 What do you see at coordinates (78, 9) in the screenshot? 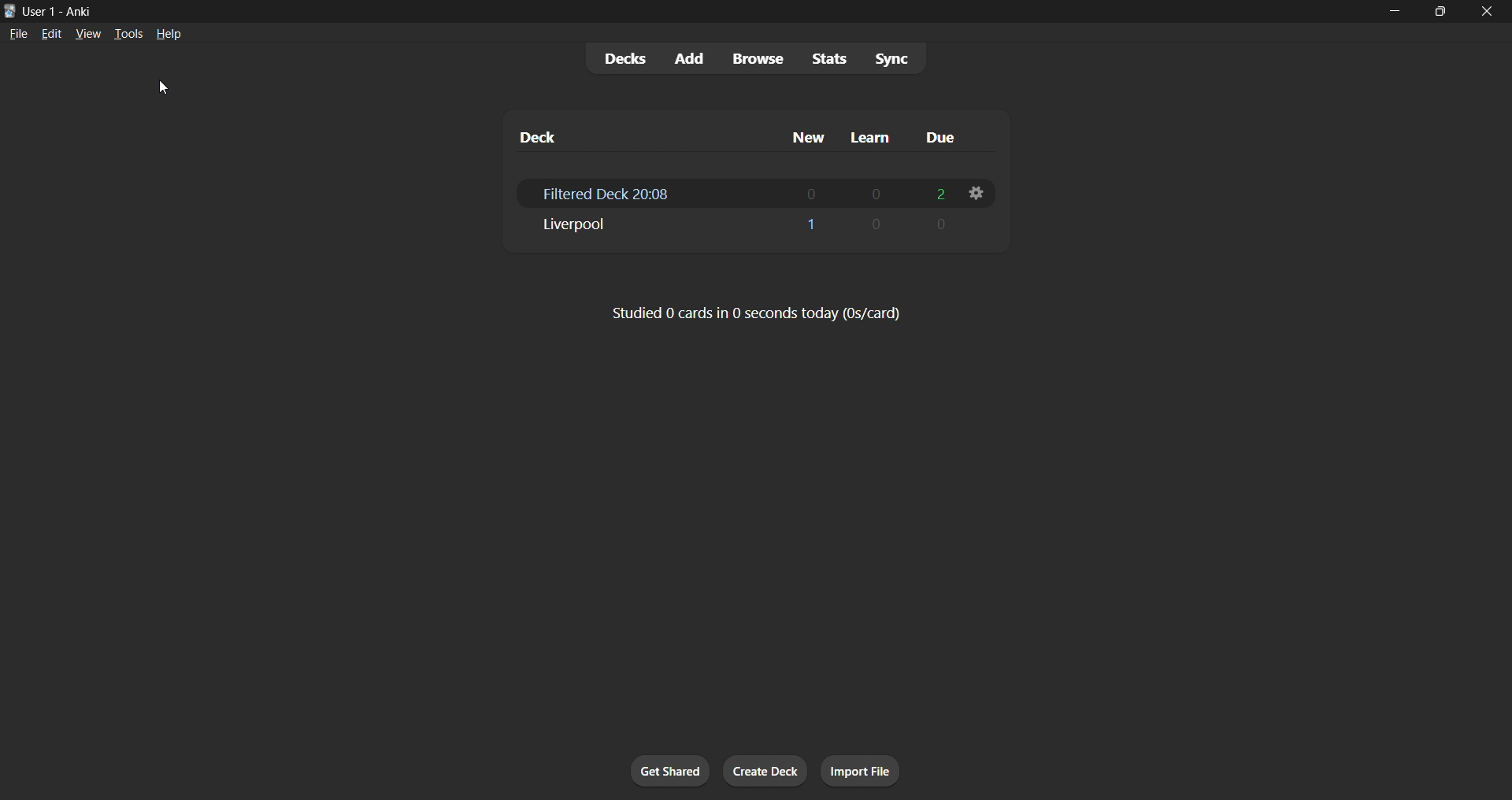
I see `Anki` at bounding box center [78, 9].